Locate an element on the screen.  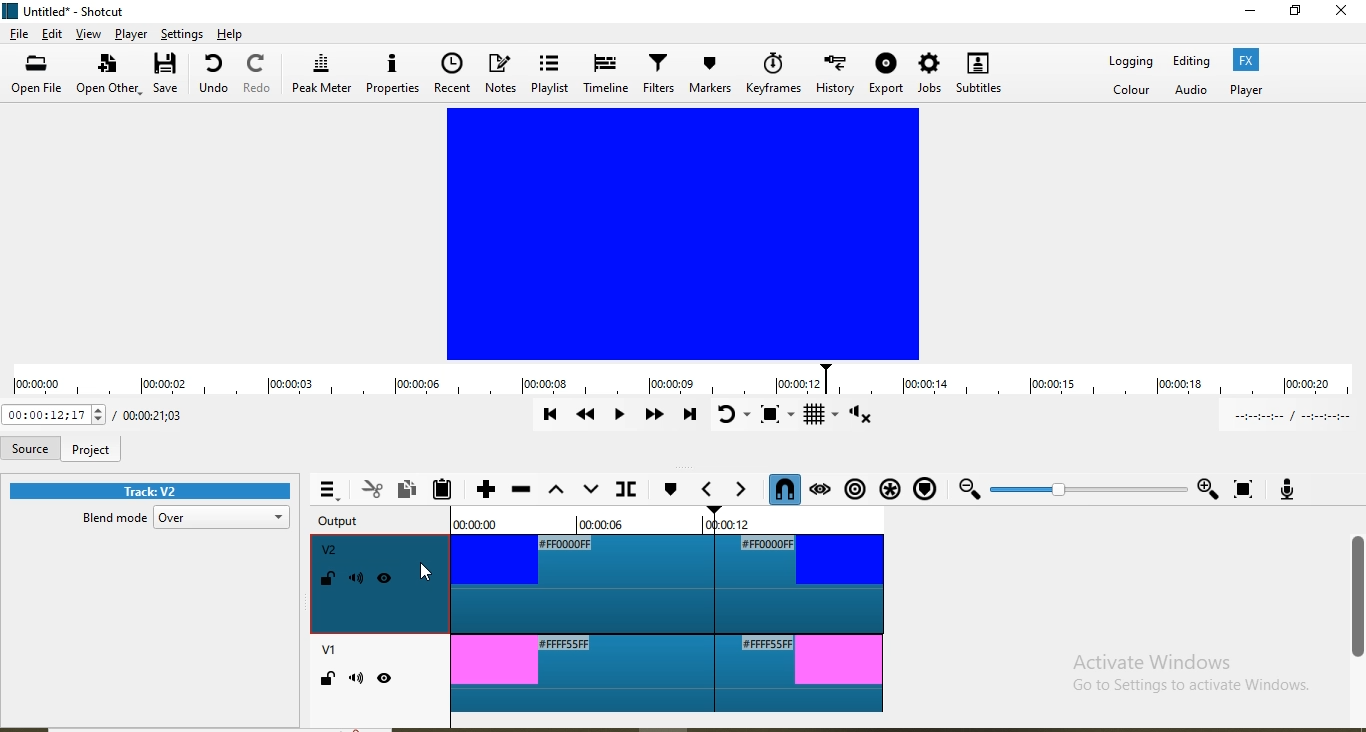
Mute is located at coordinates (356, 680).